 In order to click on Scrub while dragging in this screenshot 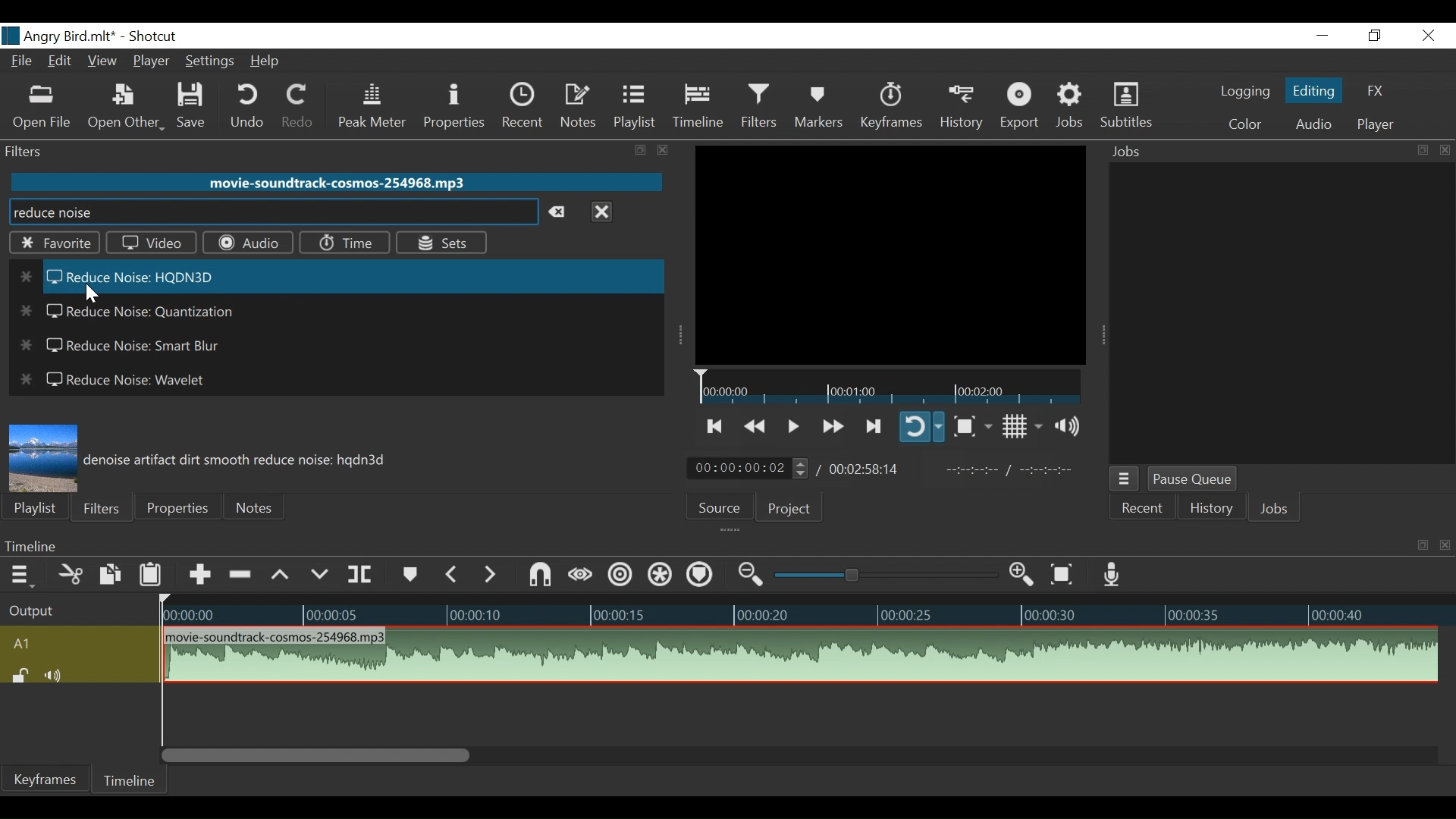, I will do `click(581, 575)`.